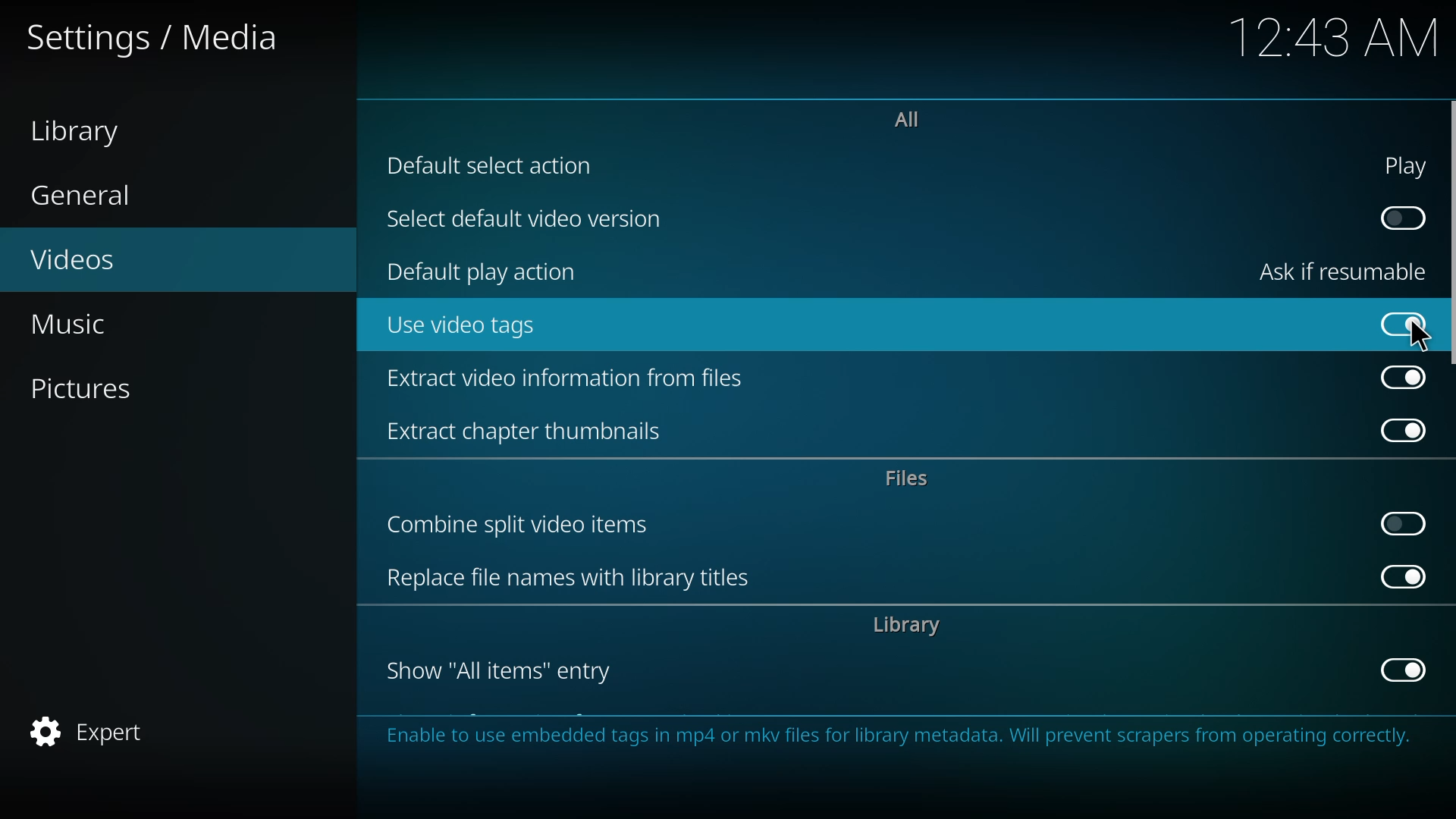  I want to click on general, so click(85, 197).